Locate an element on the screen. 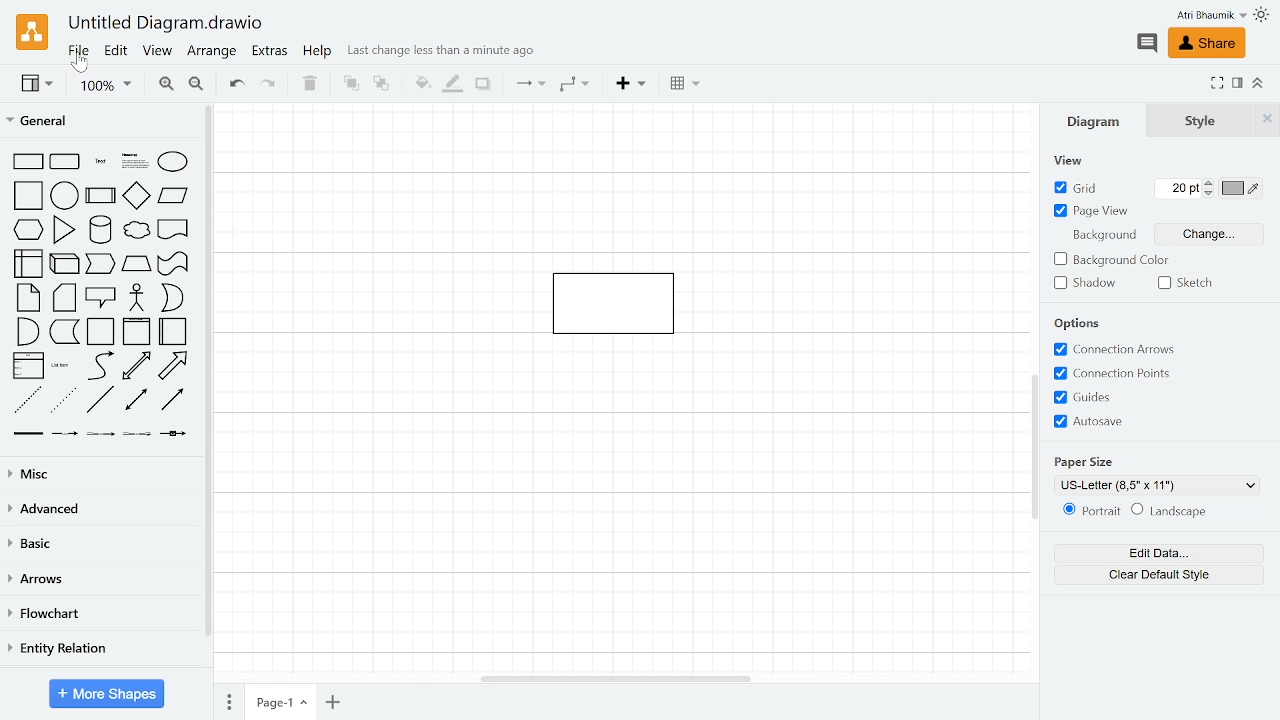 The image size is (1280, 720). Waypoints is located at coordinates (573, 85).